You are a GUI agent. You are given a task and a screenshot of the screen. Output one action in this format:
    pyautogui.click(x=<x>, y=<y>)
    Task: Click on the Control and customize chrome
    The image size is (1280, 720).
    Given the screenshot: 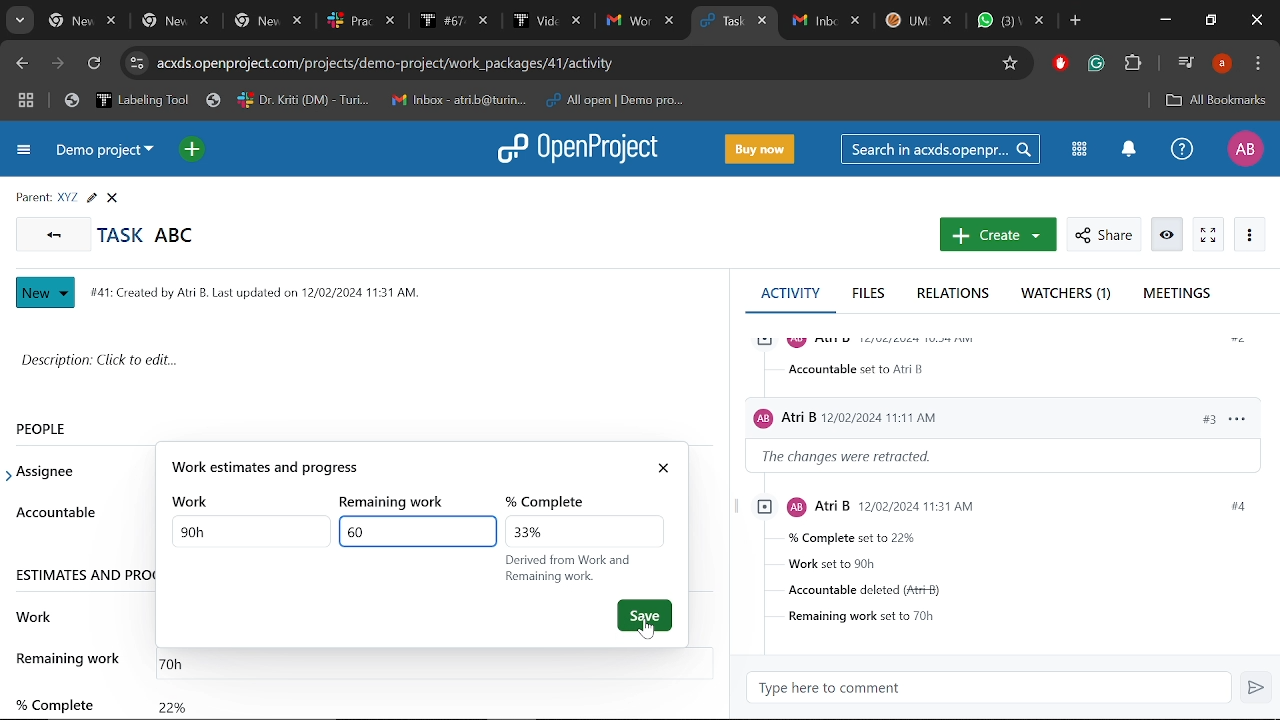 What is the action you would take?
    pyautogui.click(x=1258, y=64)
    